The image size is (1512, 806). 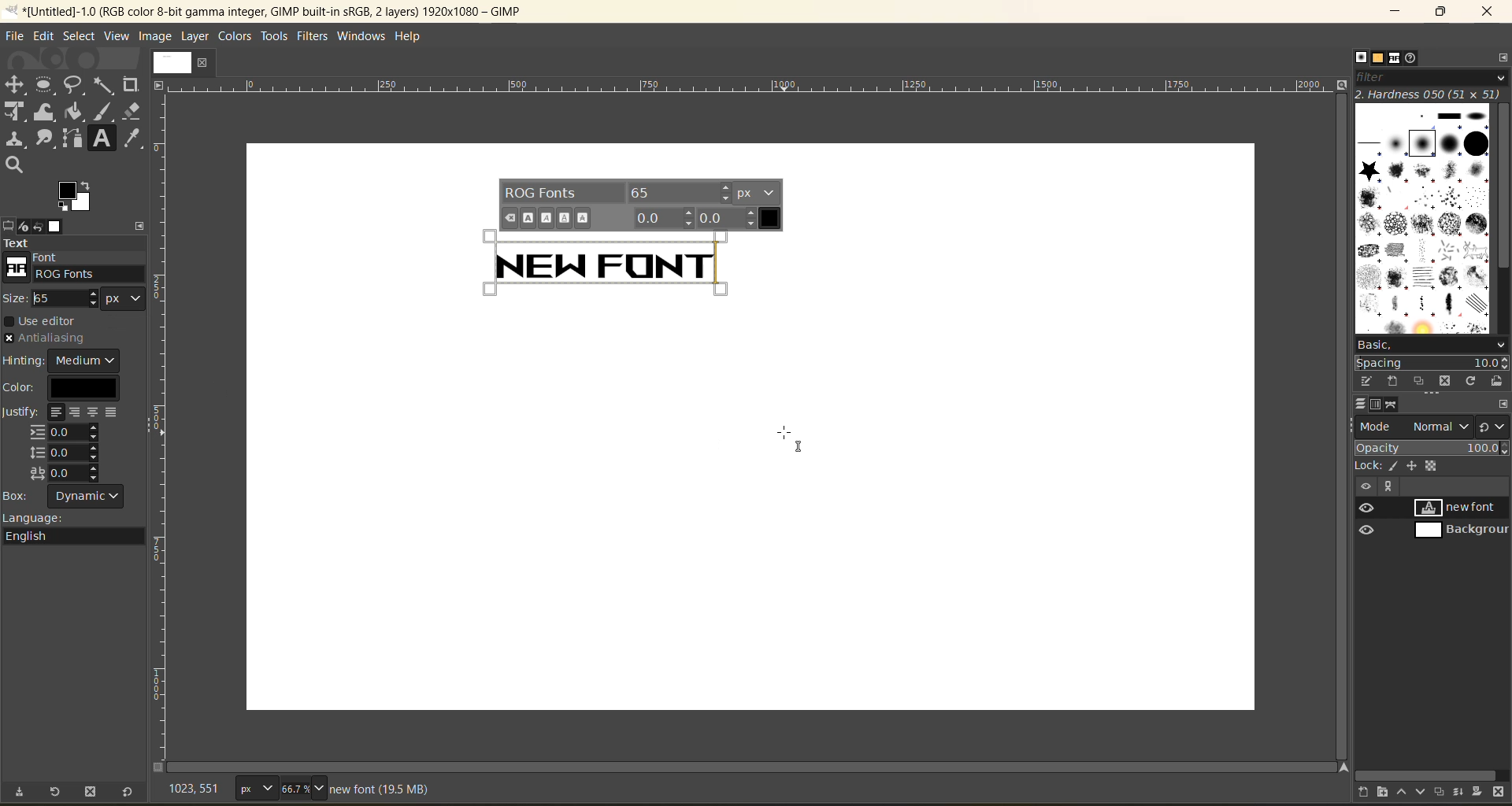 What do you see at coordinates (1420, 380) in the screenshot?
I see `duplicate this brush` at bounding box center [1420, 380].